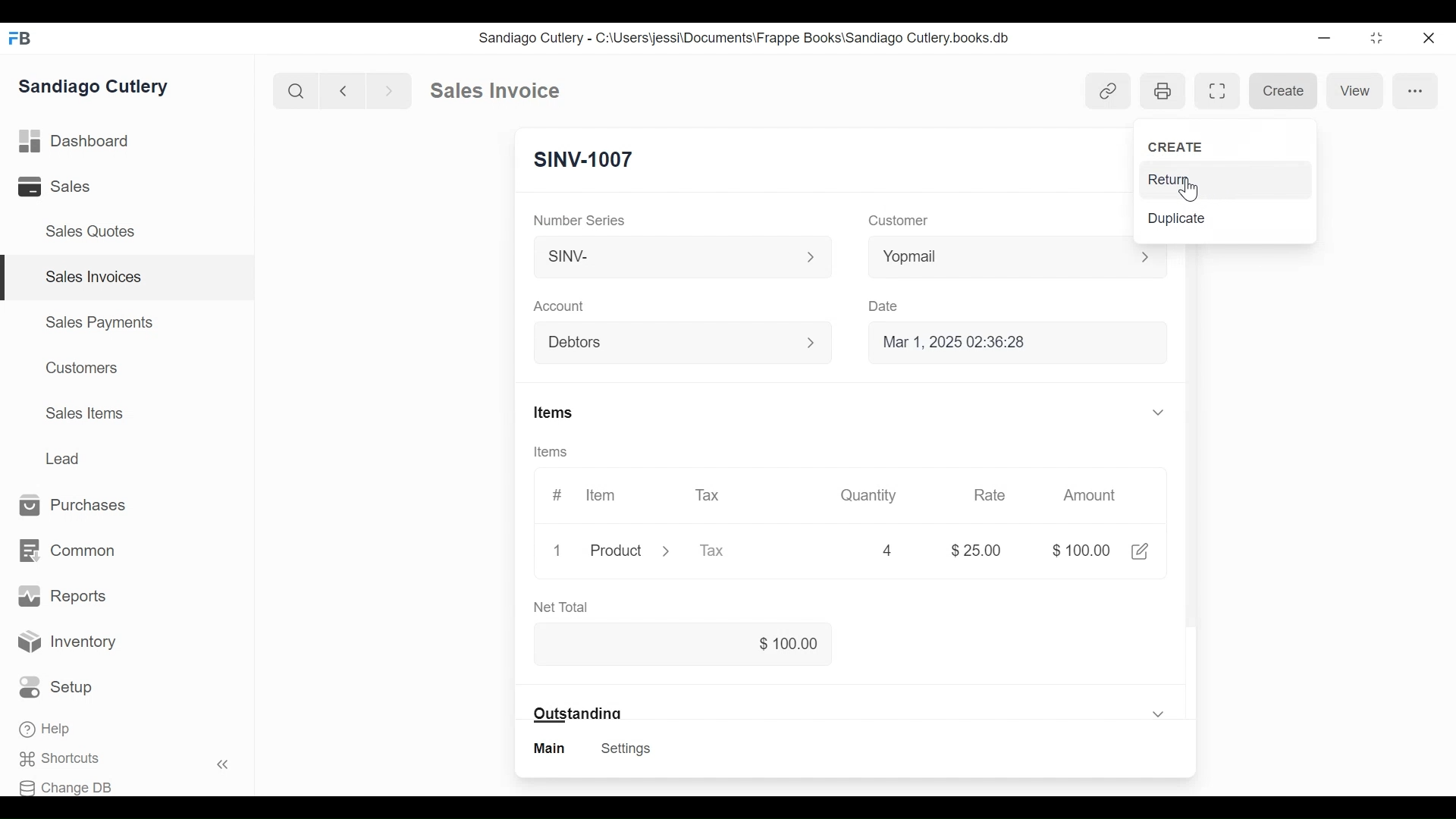  What do you see at coordinates (95, 277) in the screenshot?
I see `Sales Invoices` at bounding box center [95, 277].